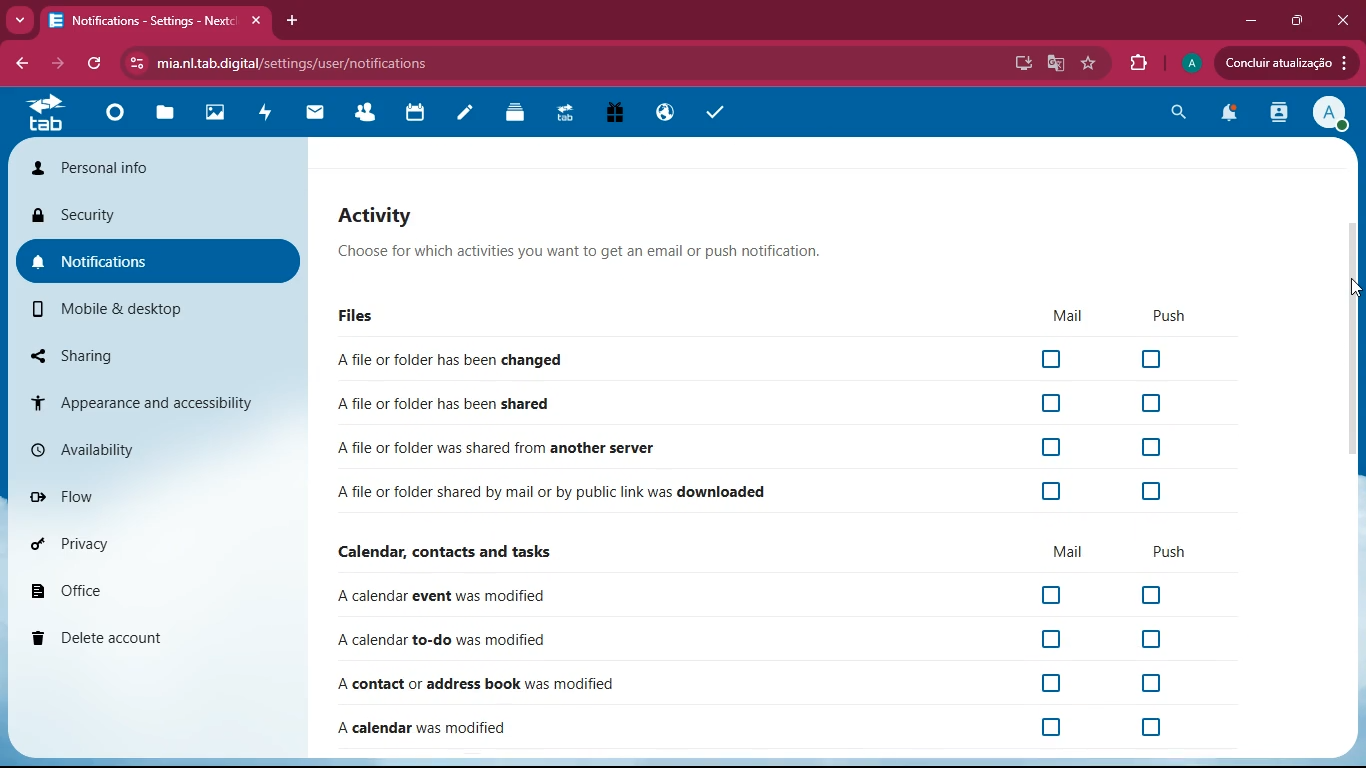 This screenshot has width=1366, height=768. I want to click on A file or folder has been changed, so click(449, 361).